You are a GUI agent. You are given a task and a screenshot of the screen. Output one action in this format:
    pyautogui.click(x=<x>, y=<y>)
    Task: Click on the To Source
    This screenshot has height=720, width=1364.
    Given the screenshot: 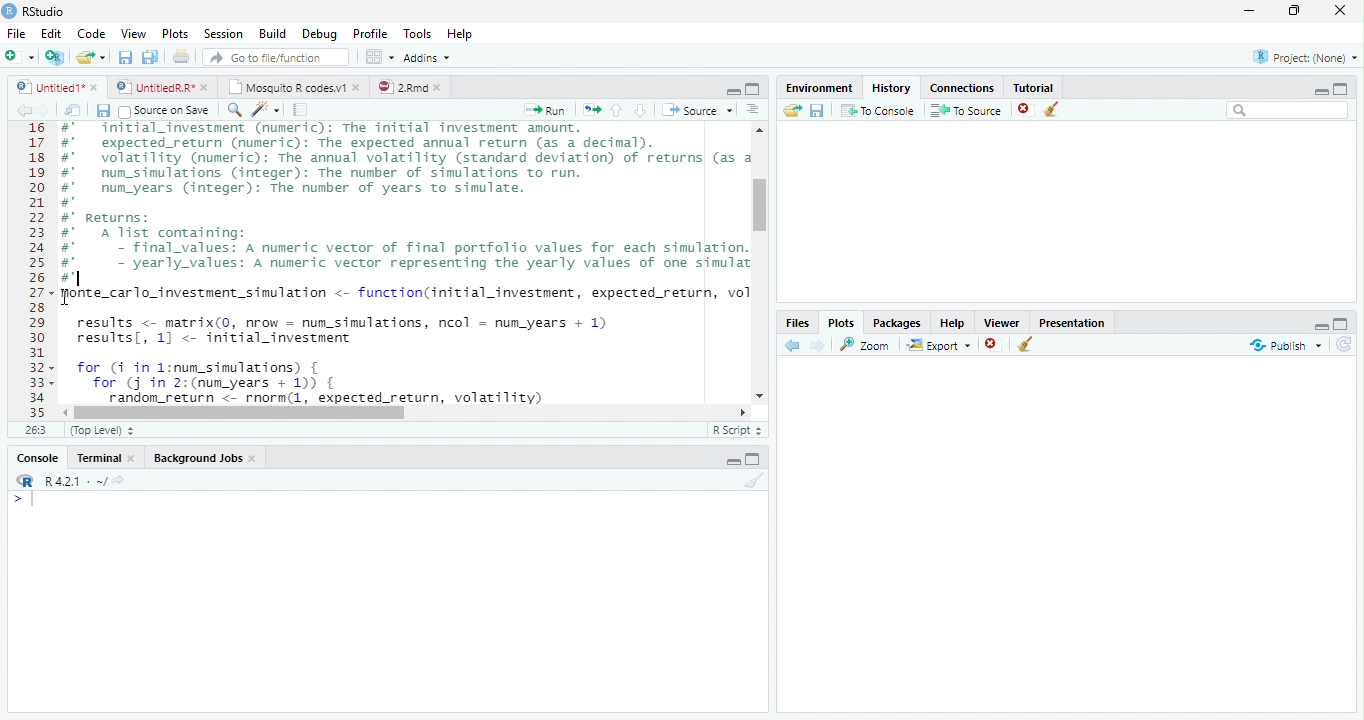 What is the action you would take?
    pyautogui.click(x=966, y=110)
    